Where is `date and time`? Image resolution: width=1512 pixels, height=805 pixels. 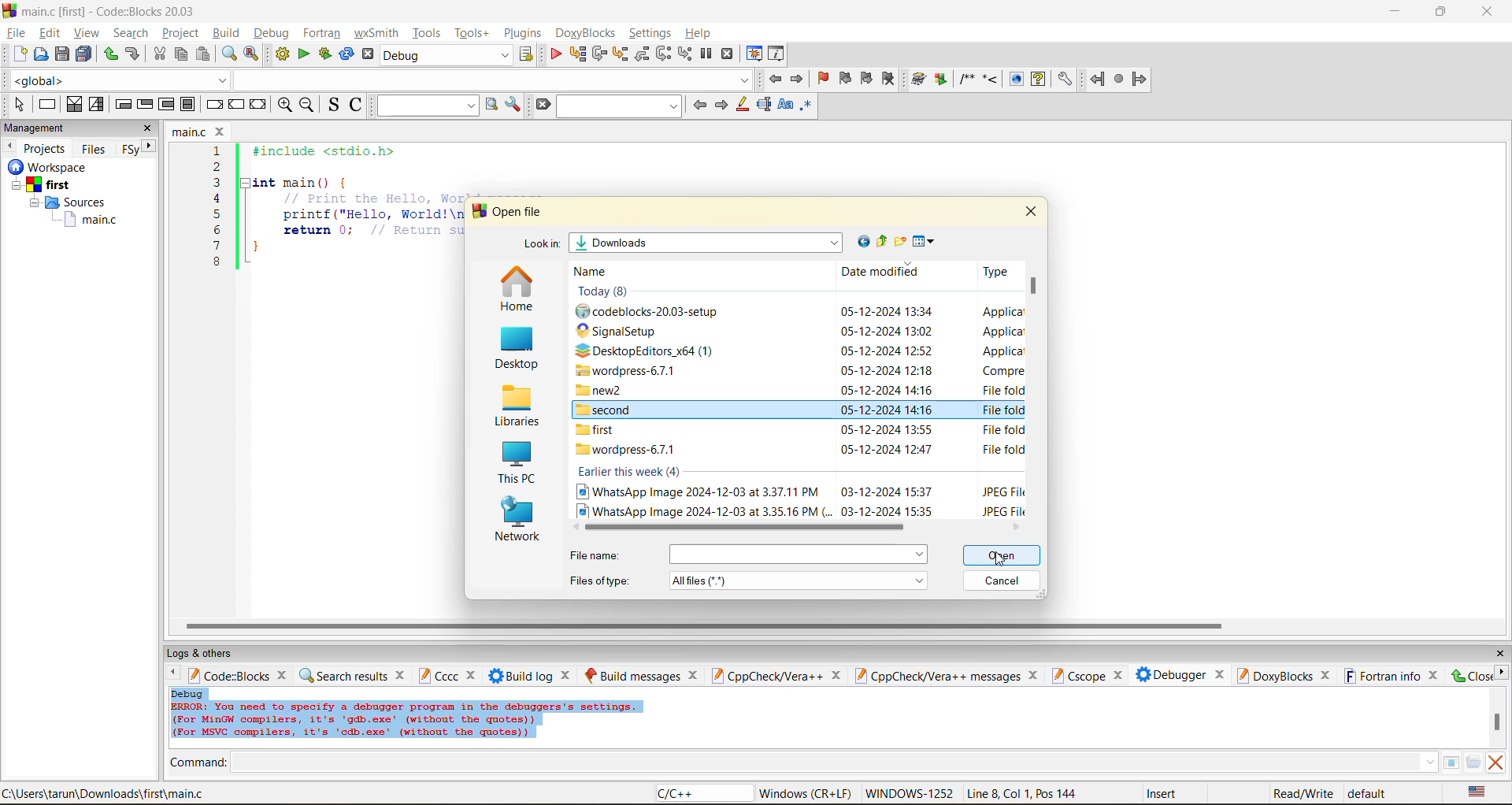 date and time is located at coordinates (886, 430).